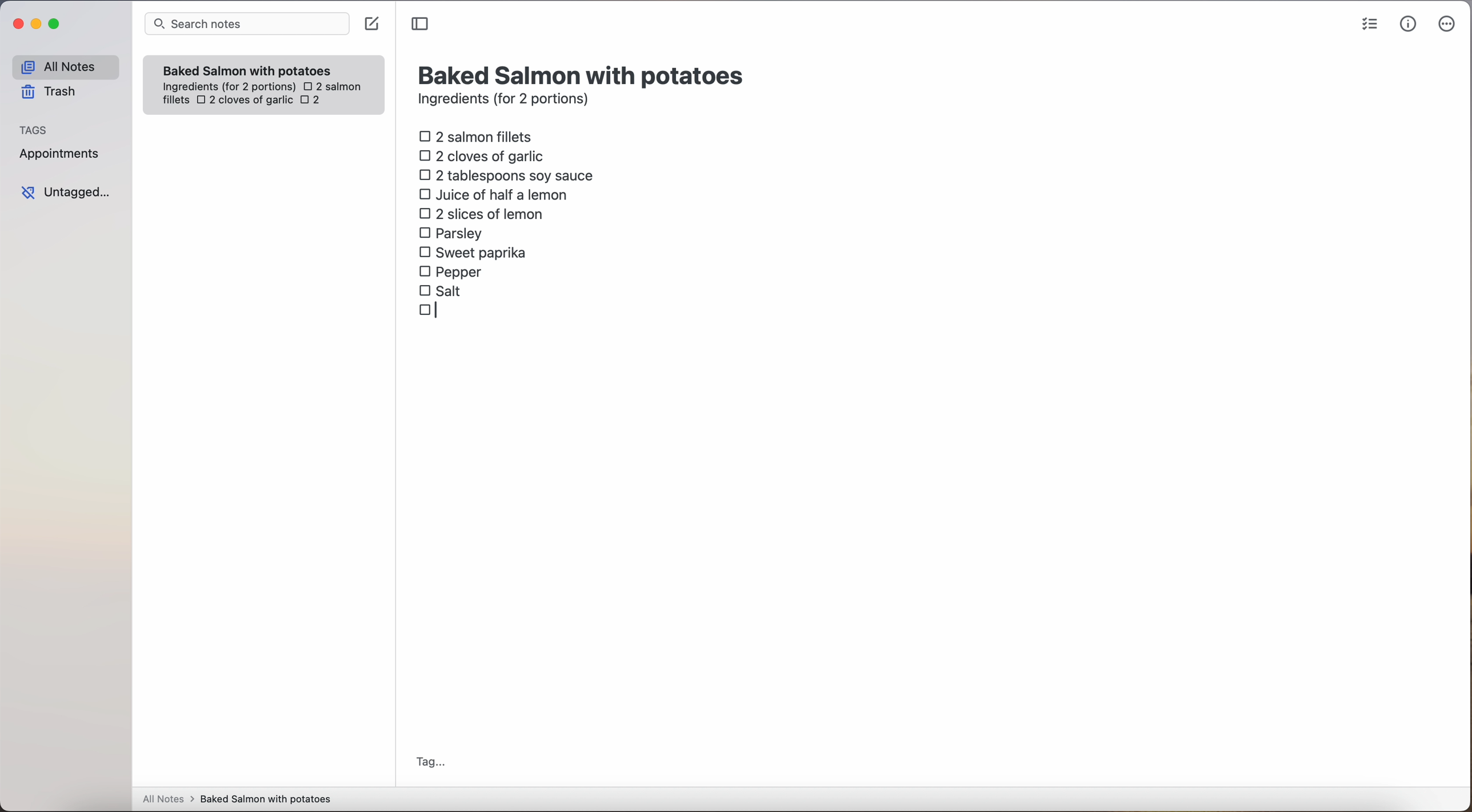  What do you see at coordinates (36, 25) in the screenshot?
I see `minimize Simplenote` at bounding box center [36, 25].